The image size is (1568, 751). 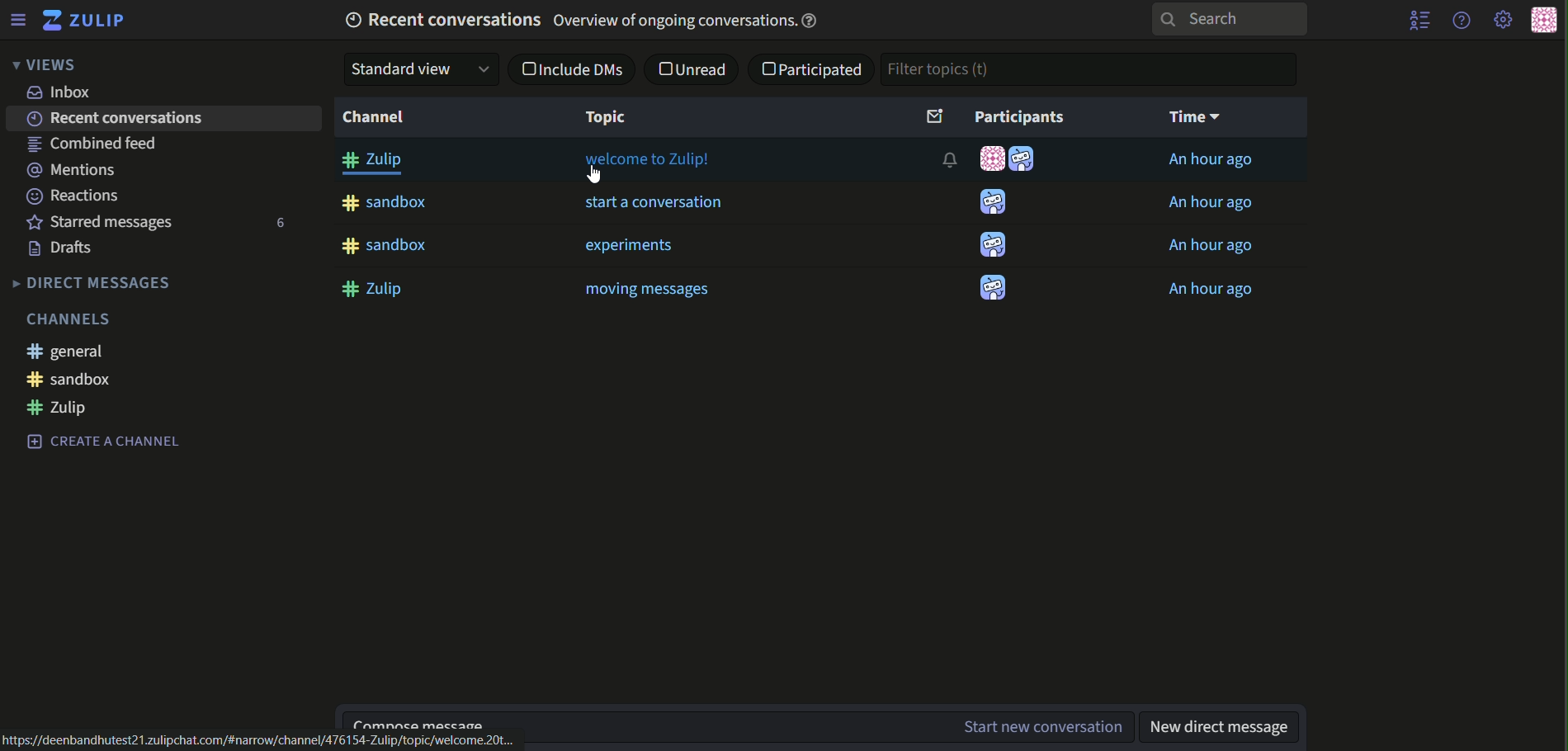 I want to click on user list, so click(x=1421, y=20).